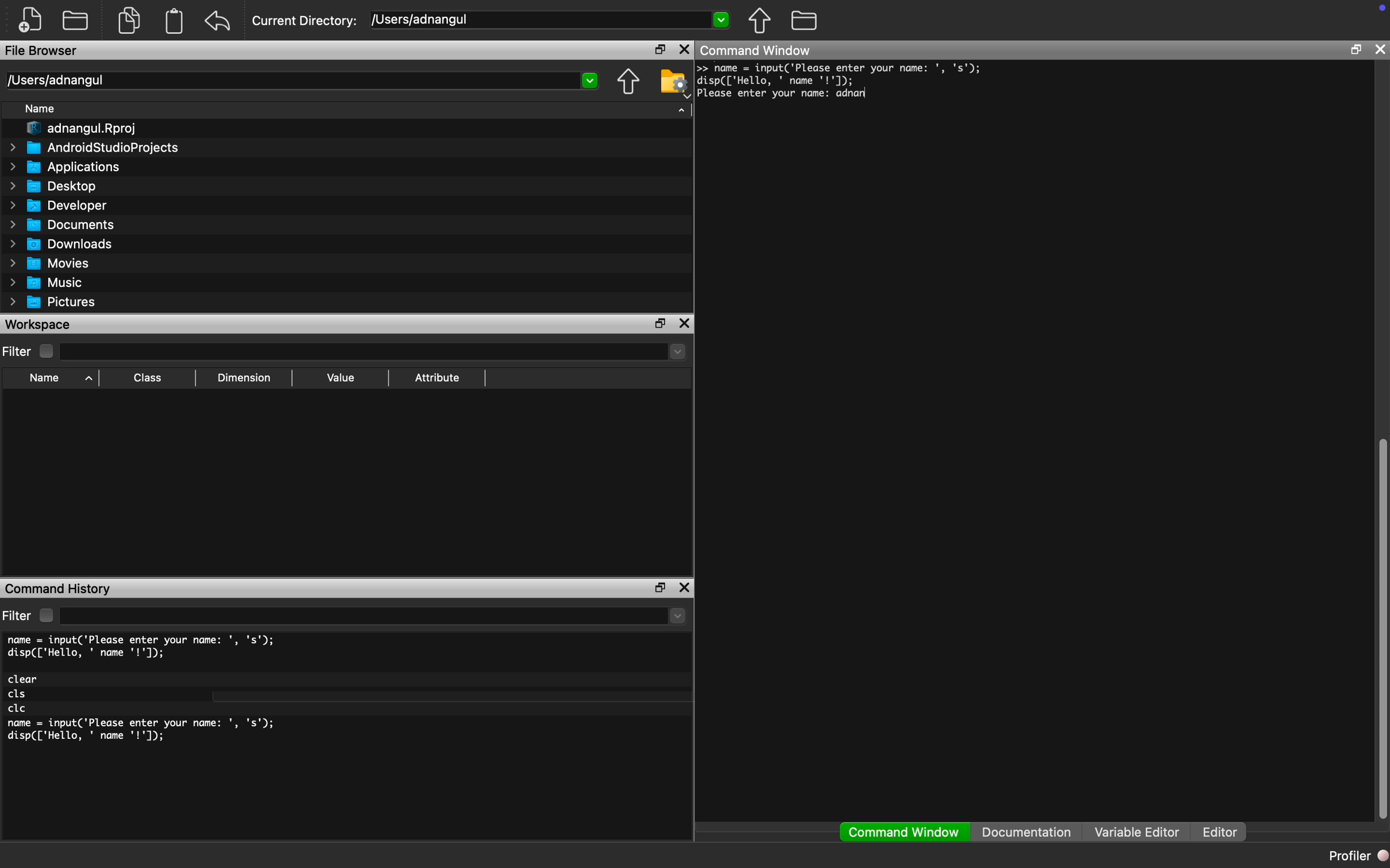 The height and width of the screenshot is (868, 1390). What do you see at coordinates (660, 323) in the screenshot?
I see `maximize` at bounding box center [660, 323].